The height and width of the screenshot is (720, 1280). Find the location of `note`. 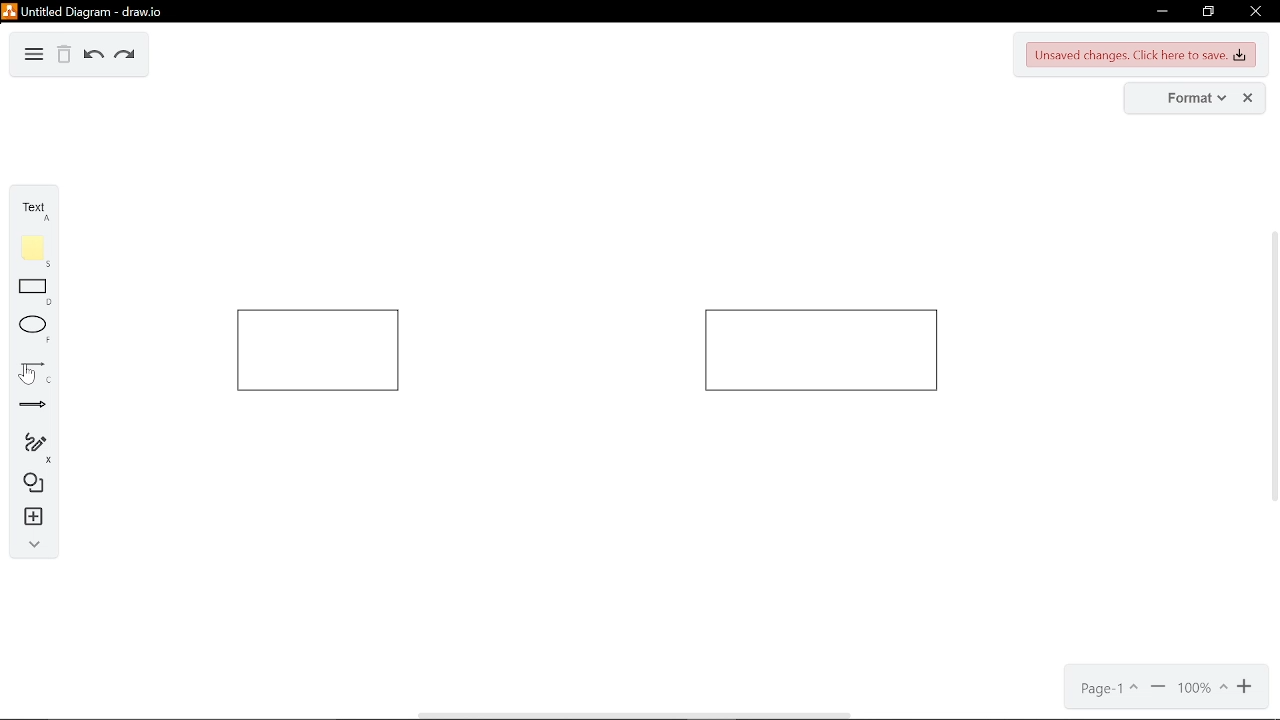

note is located at coordinates (32, 250).